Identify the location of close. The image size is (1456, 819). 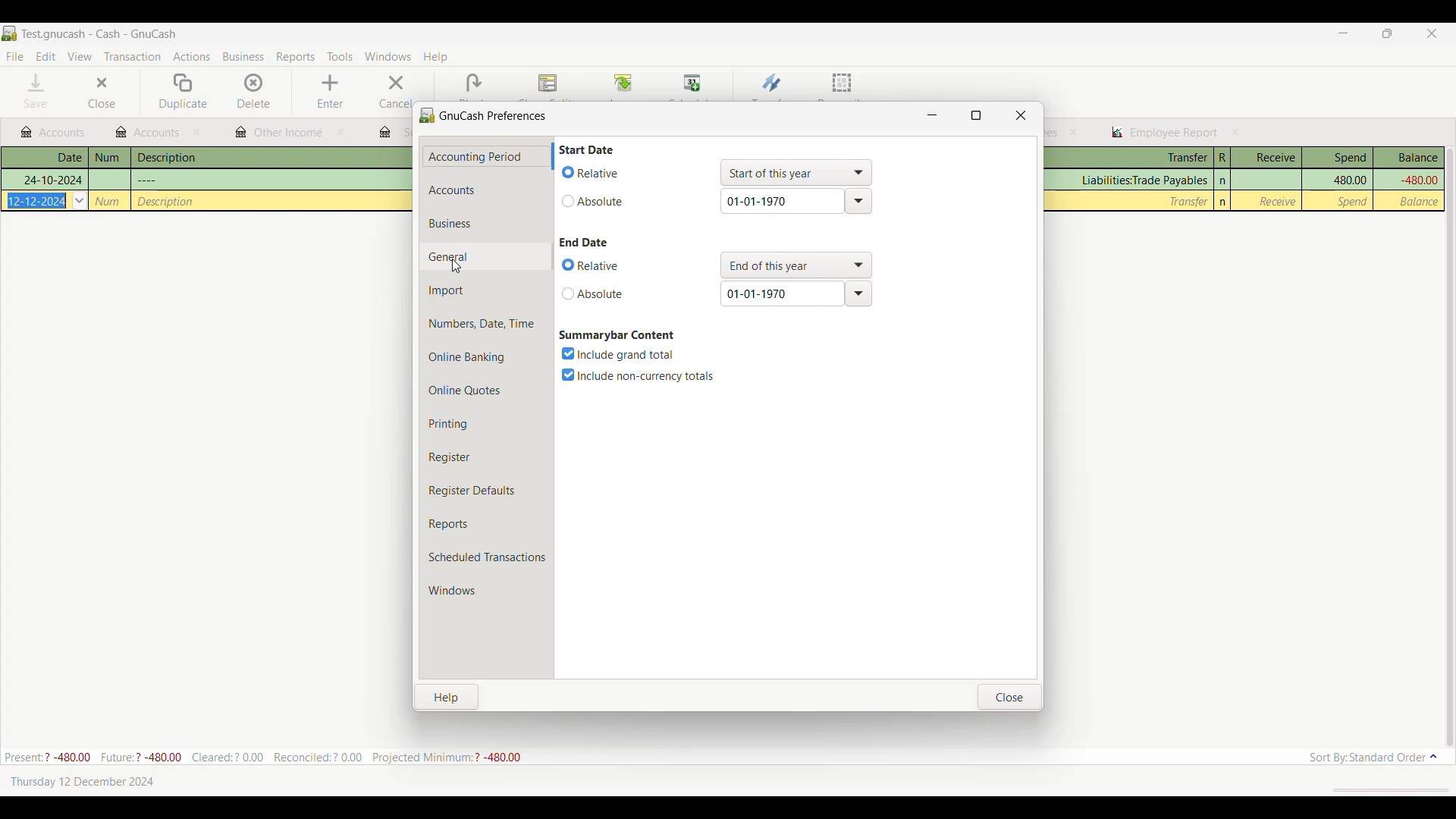
(340, 132).